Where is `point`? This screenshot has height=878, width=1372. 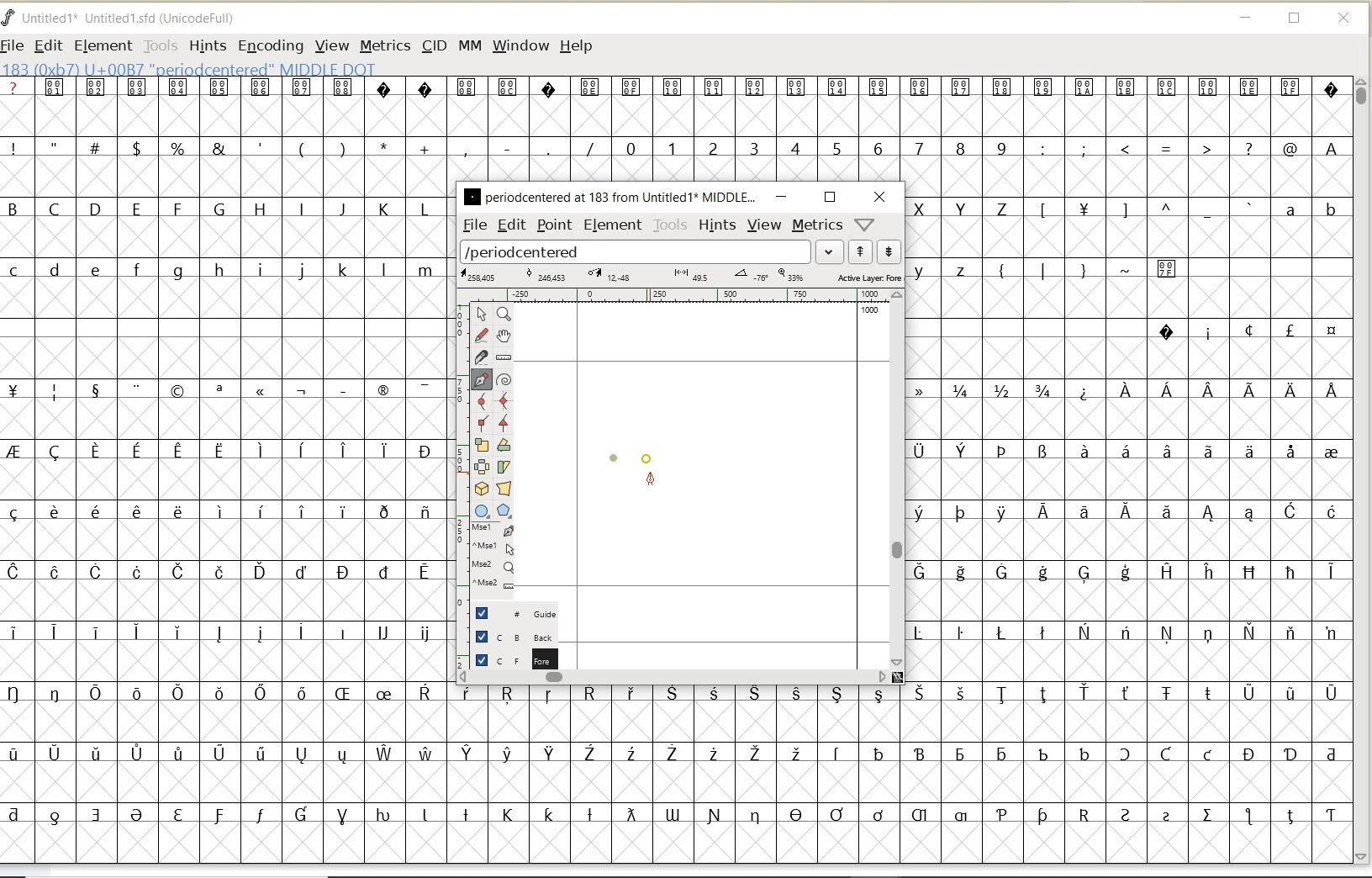
point is located at coordinates (554, 226).